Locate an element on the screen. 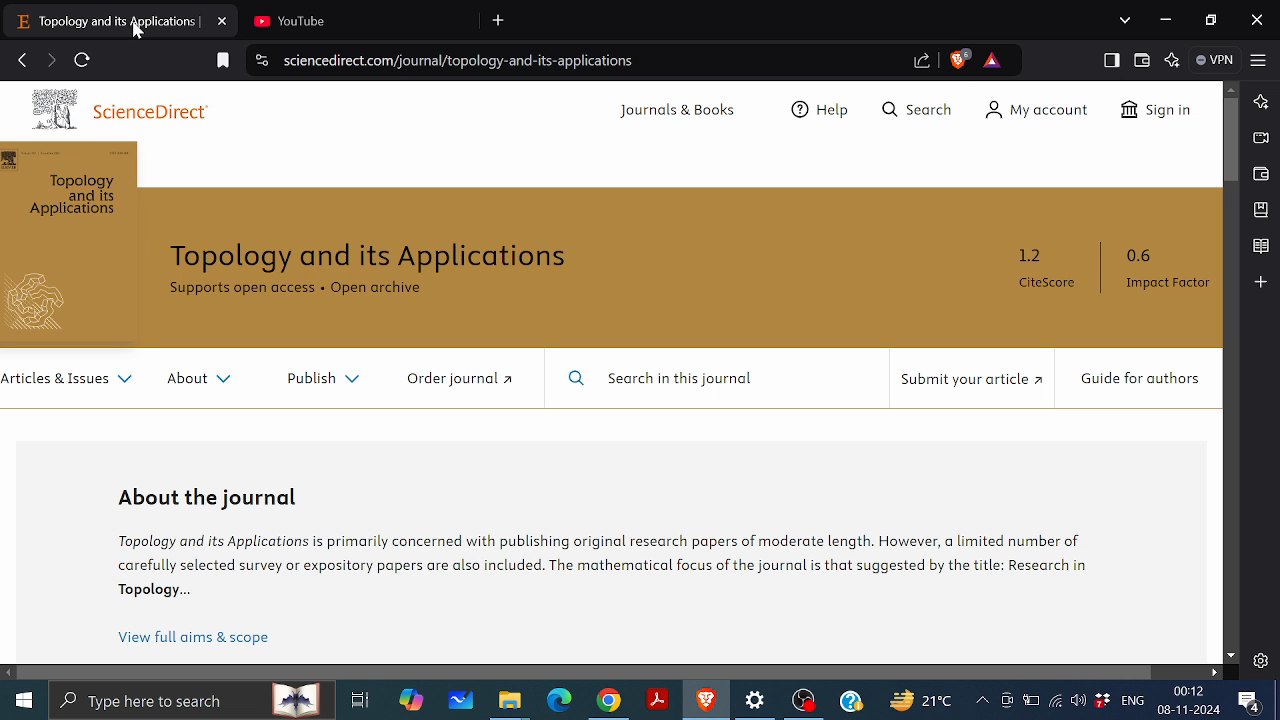  Add to sidebar is located at coordinates (1260, 281).